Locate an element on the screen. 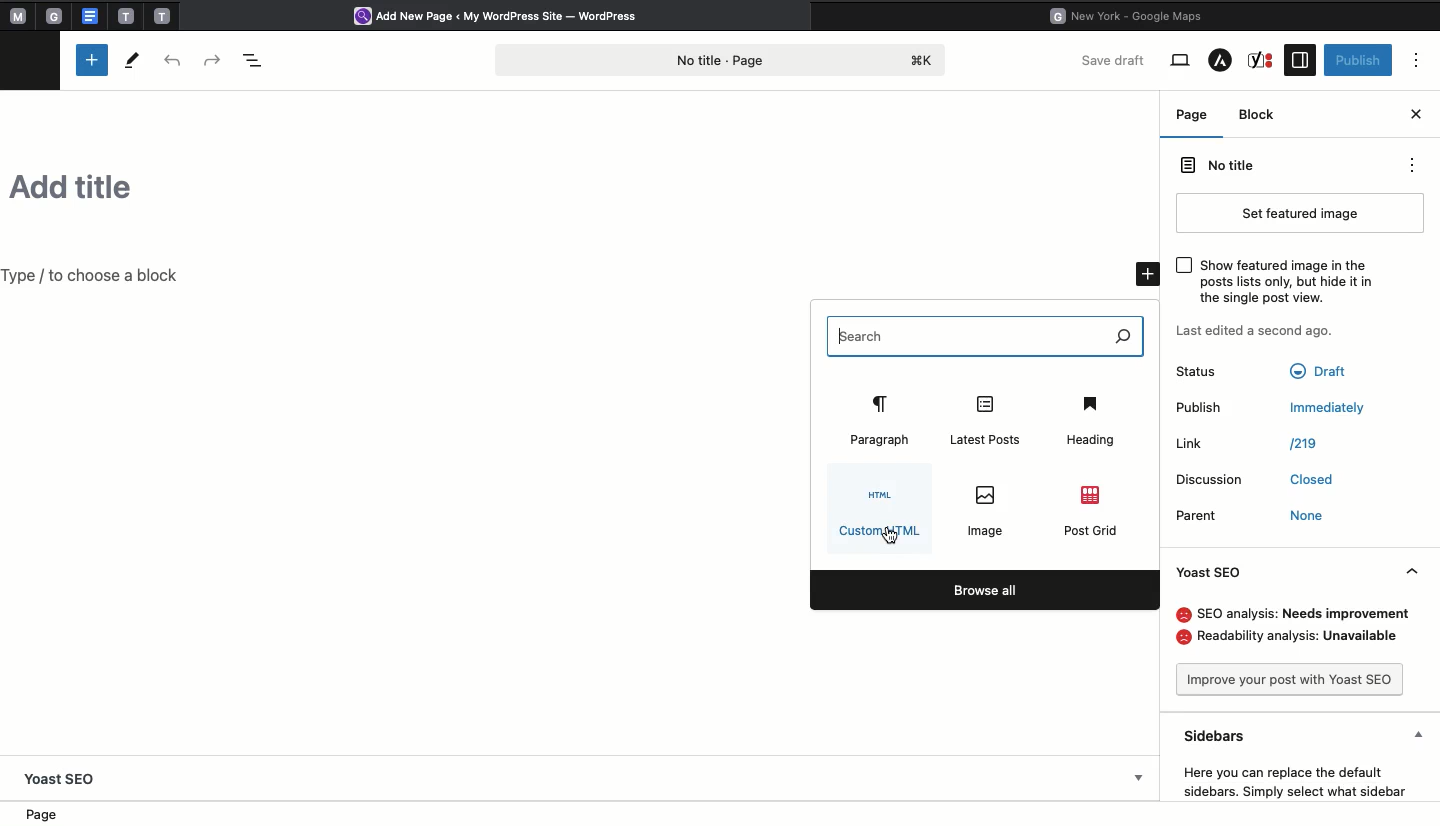 The image size is (1440, 826). add is located at coordinates (1142, 272).